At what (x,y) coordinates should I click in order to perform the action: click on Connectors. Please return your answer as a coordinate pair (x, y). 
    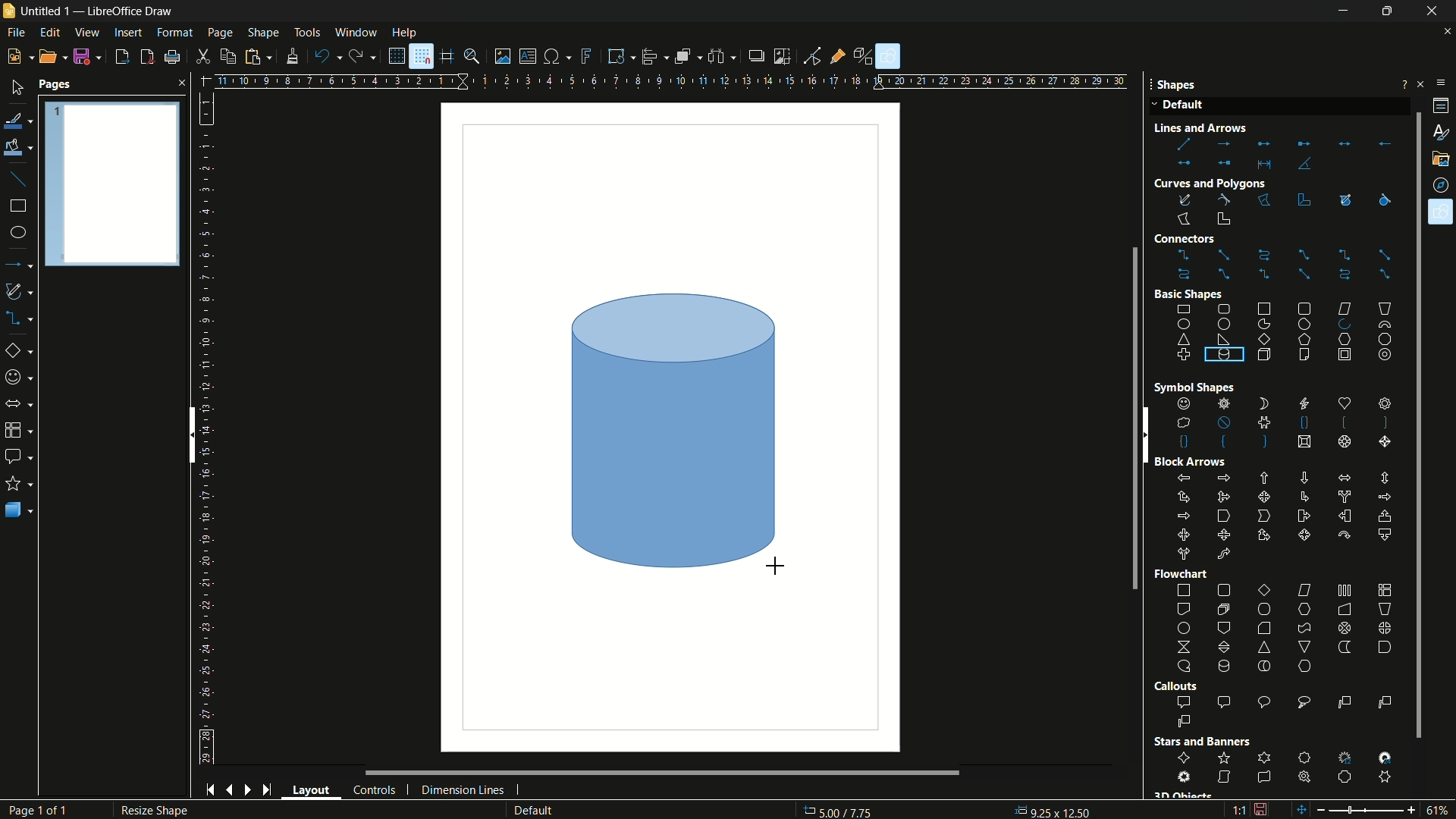
    Looking at the image, I should click on (1209, 239).